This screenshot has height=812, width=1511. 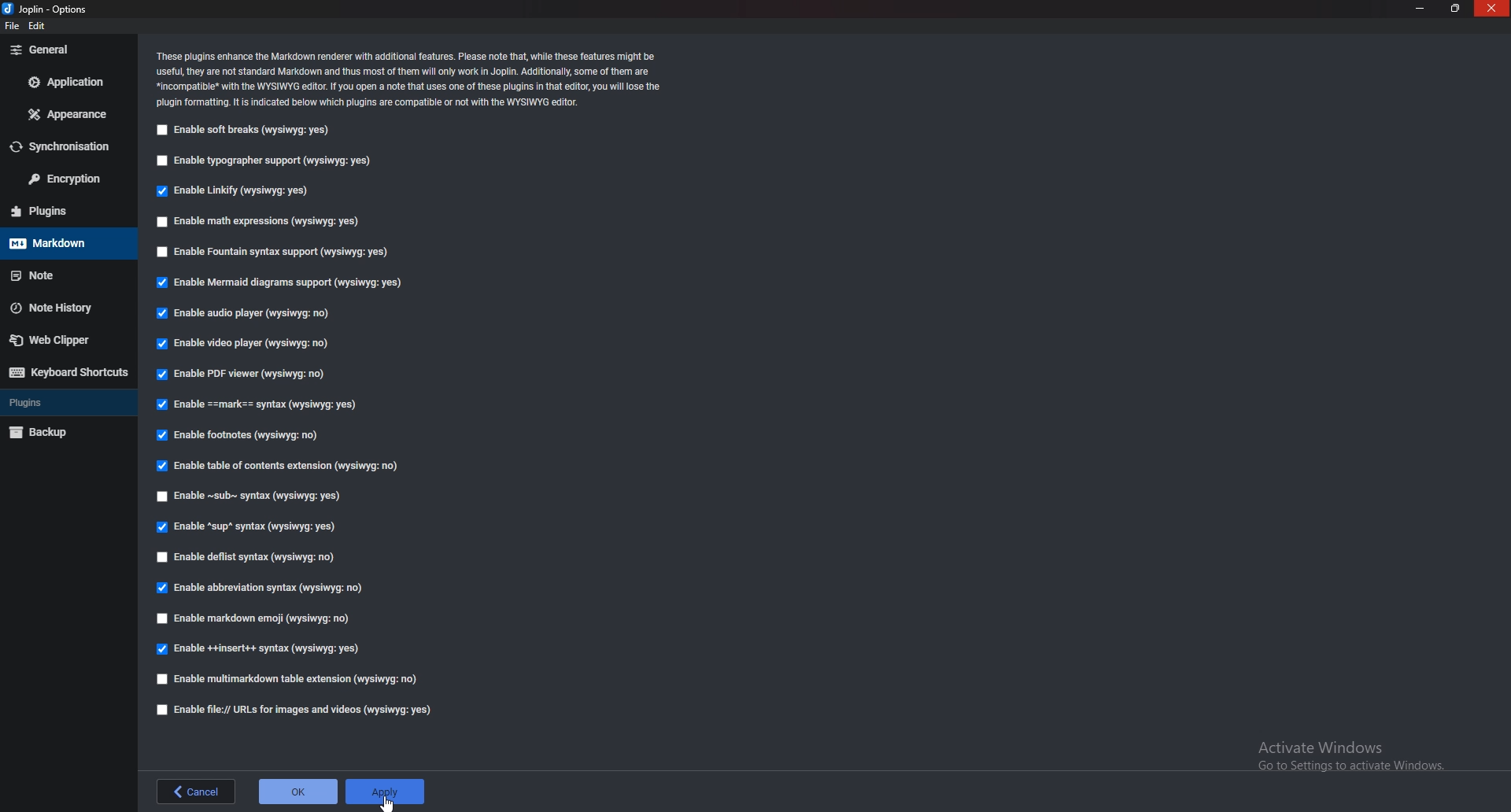 I want to click on Enable sup syntax, so click(x=246, y=526).